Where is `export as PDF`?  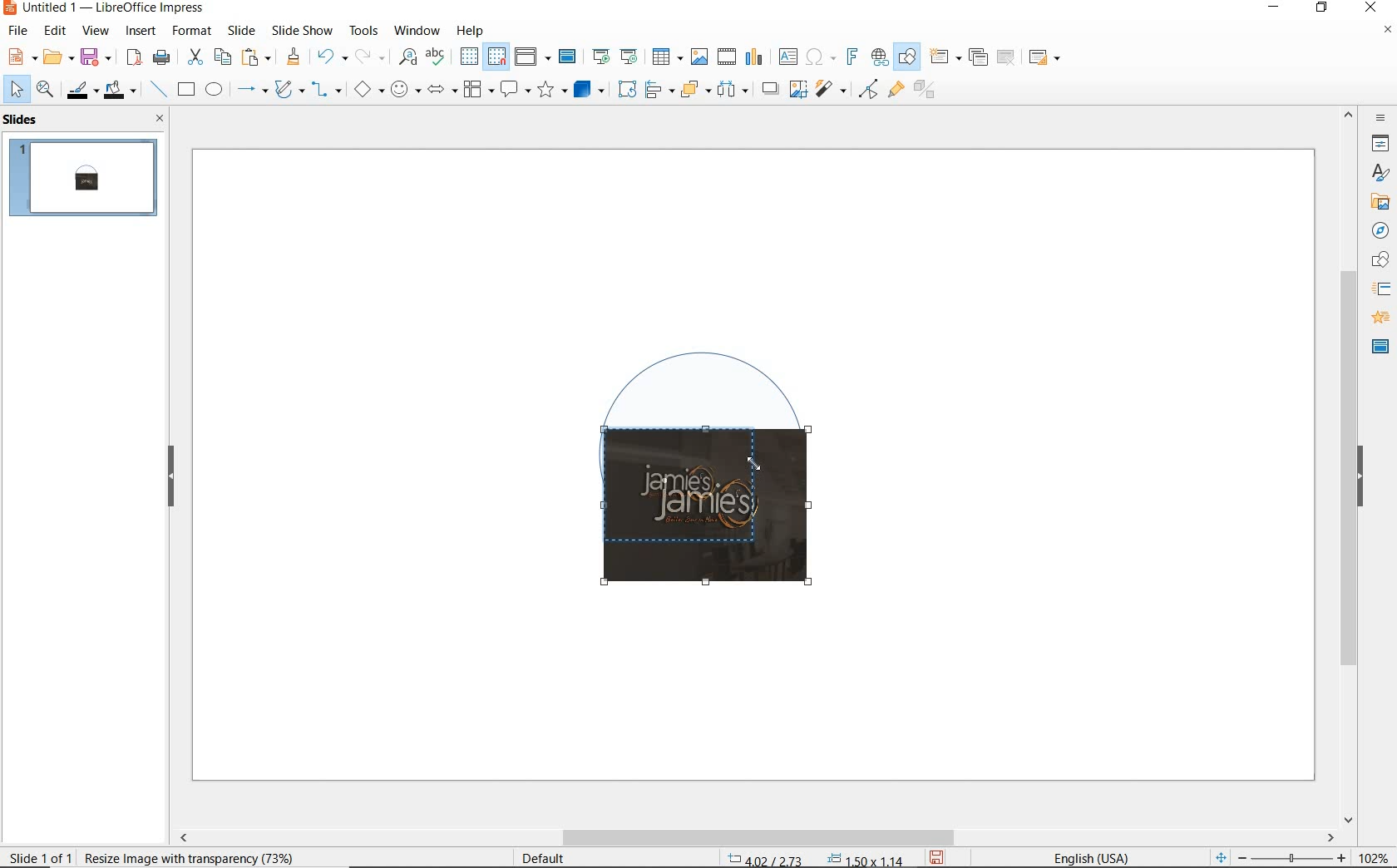 export as PDF is located at coordinates (134, 58).